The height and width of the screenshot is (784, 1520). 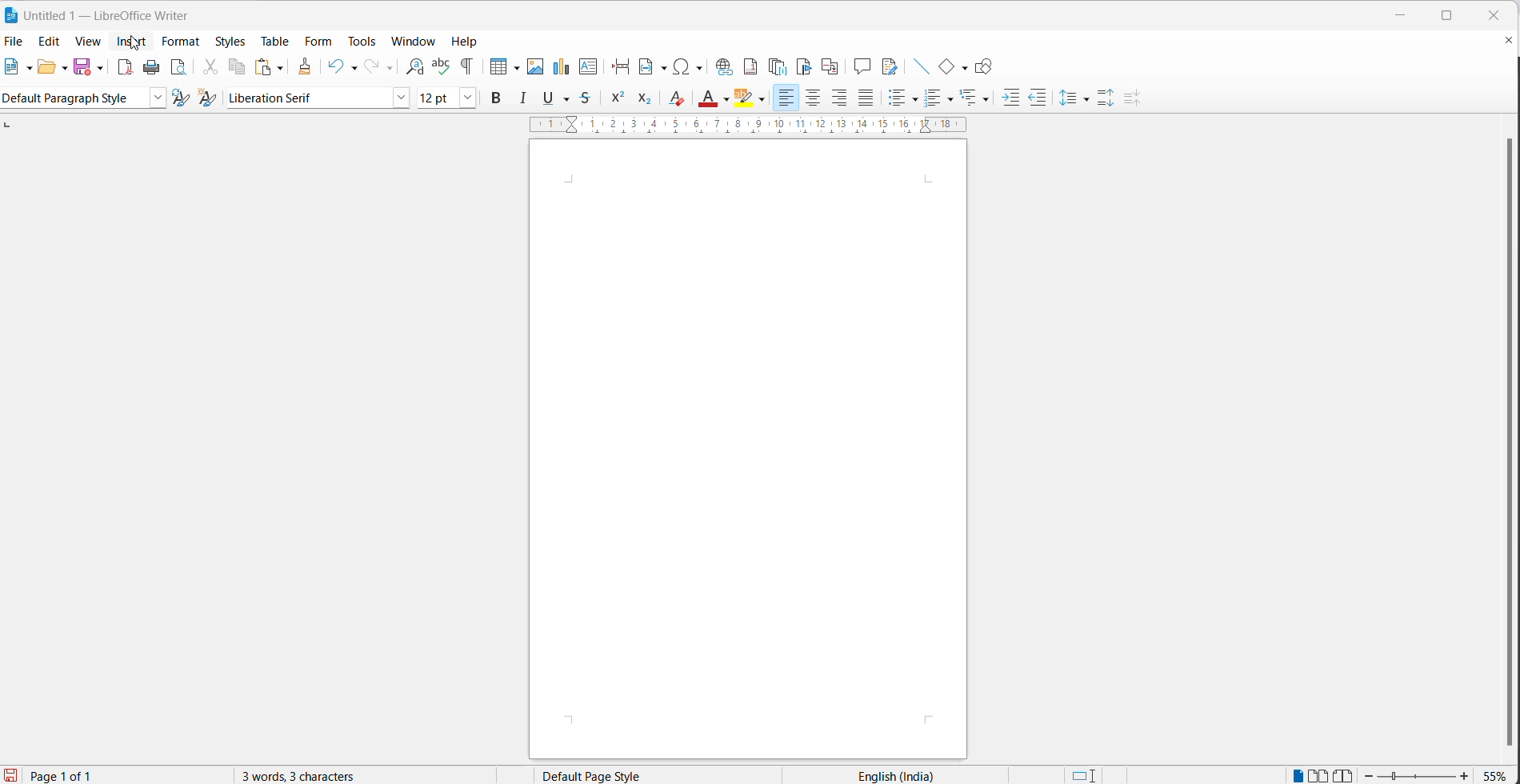 What do you see at coordinates (180, 98) in the screenshot?
I see `update selected style` at bounding box center [180, 98].